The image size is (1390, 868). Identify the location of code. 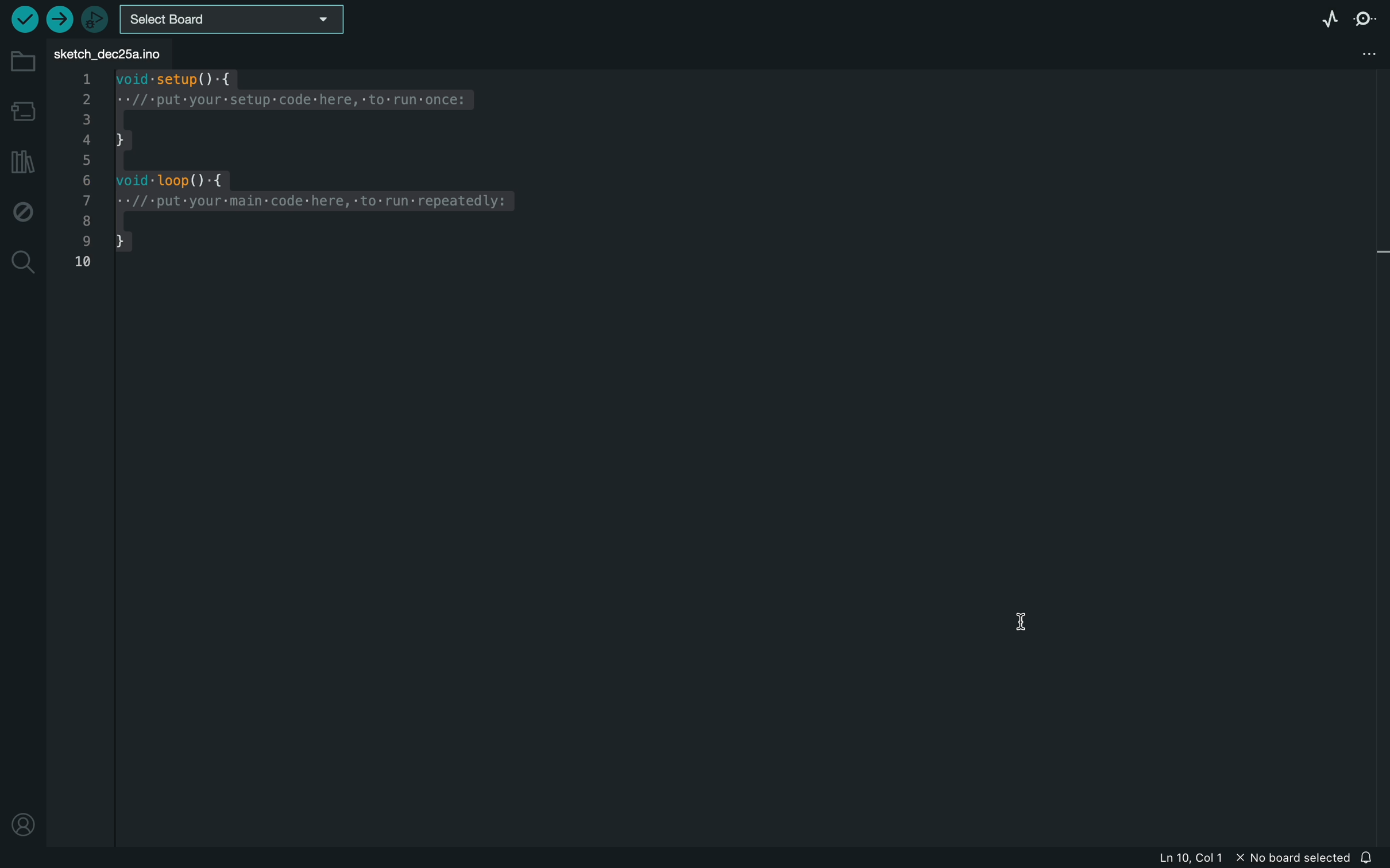
(330, 165).